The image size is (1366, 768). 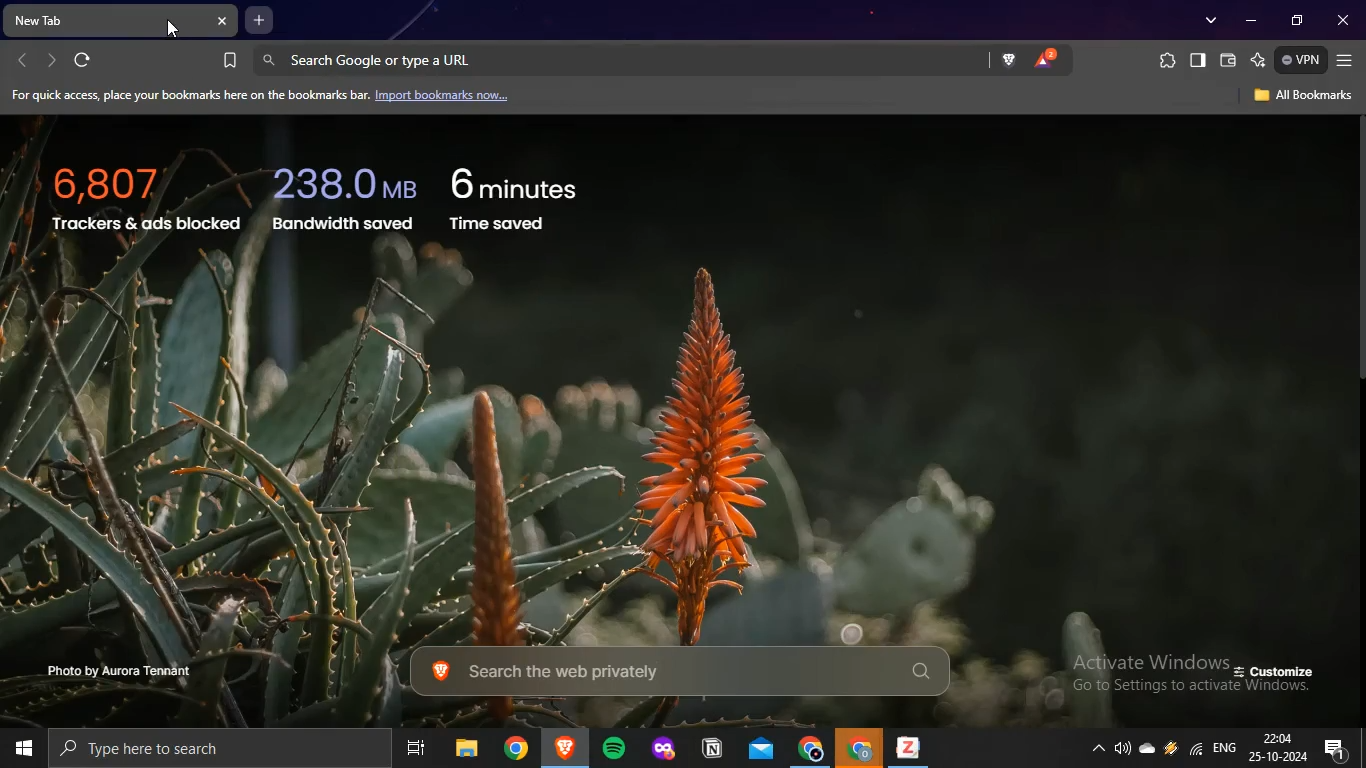 I want to click on onedrive, so click(x=1146, y=745).